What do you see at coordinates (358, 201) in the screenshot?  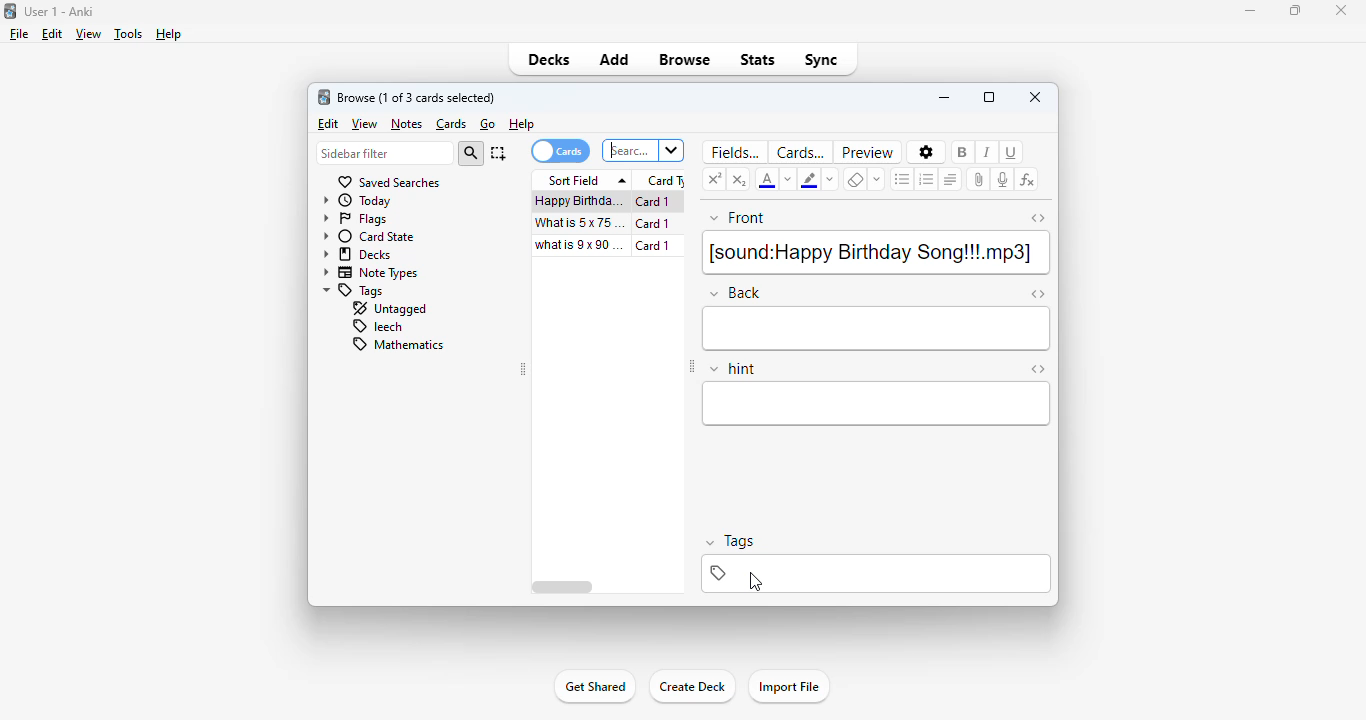 I see `today` at bounding box center [358, 201].